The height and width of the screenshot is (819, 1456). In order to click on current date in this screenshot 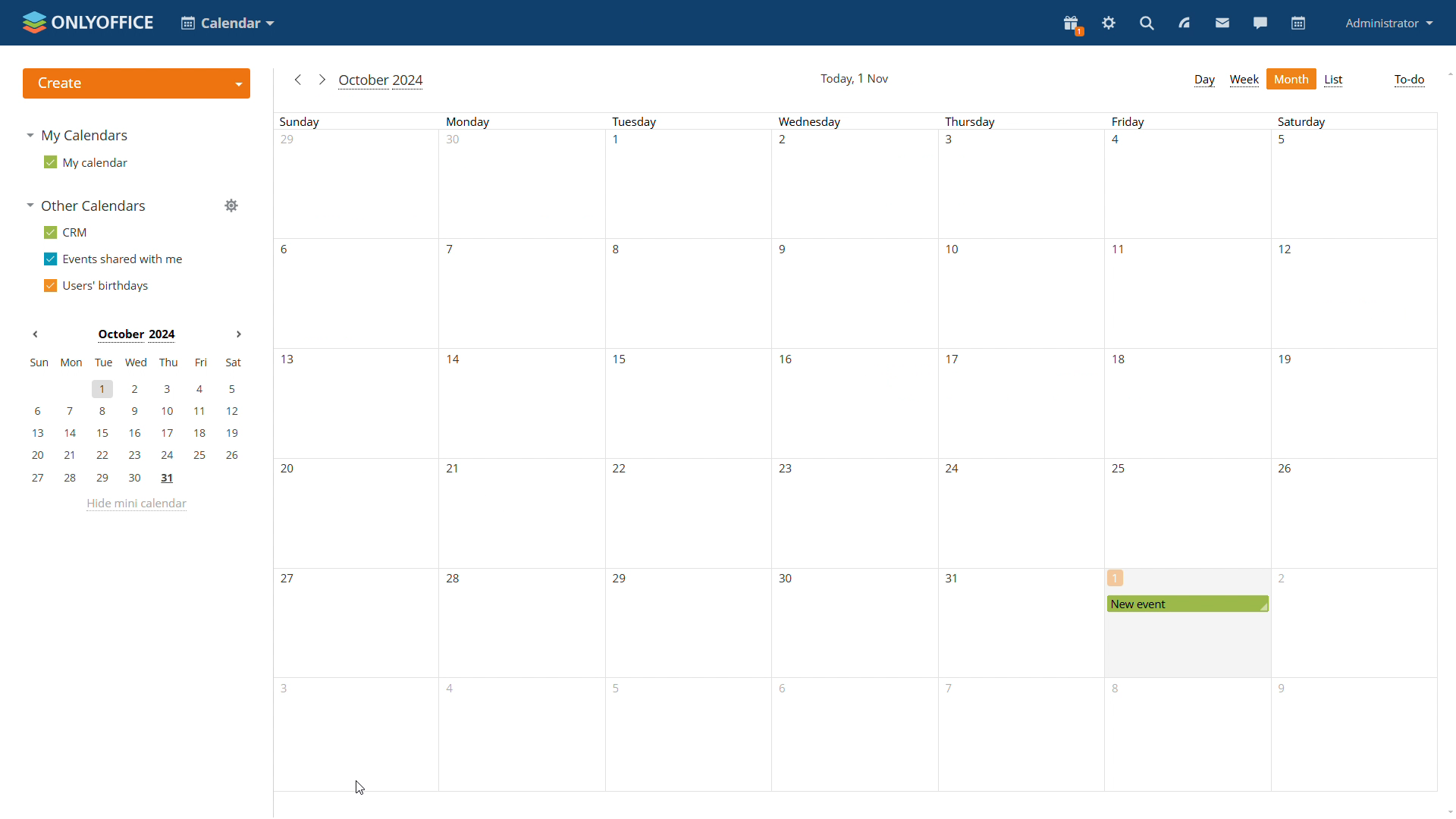, I will do `click(853, 78)`.